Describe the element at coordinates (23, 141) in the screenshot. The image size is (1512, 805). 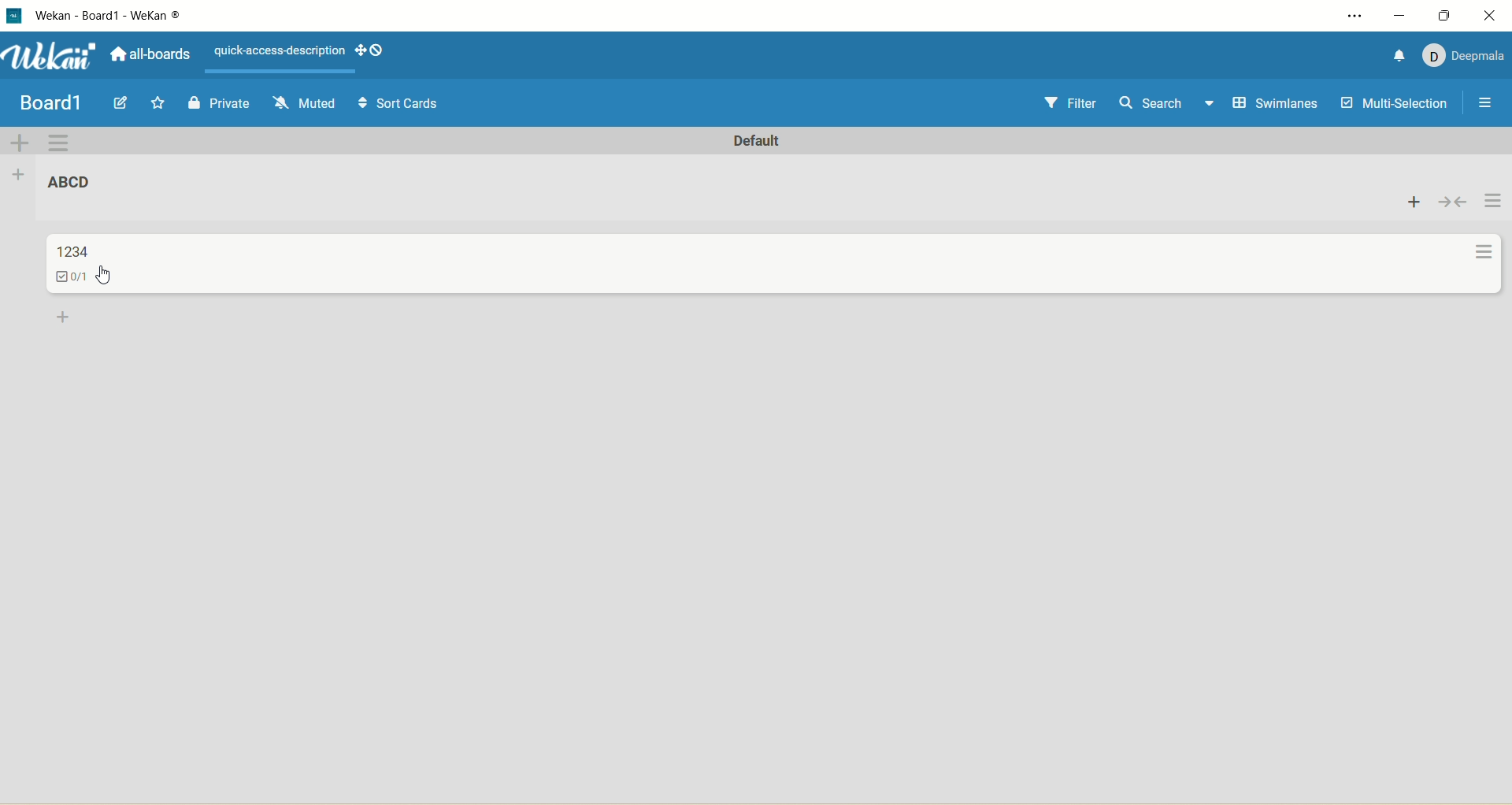
I see `add swimlane` at that location.